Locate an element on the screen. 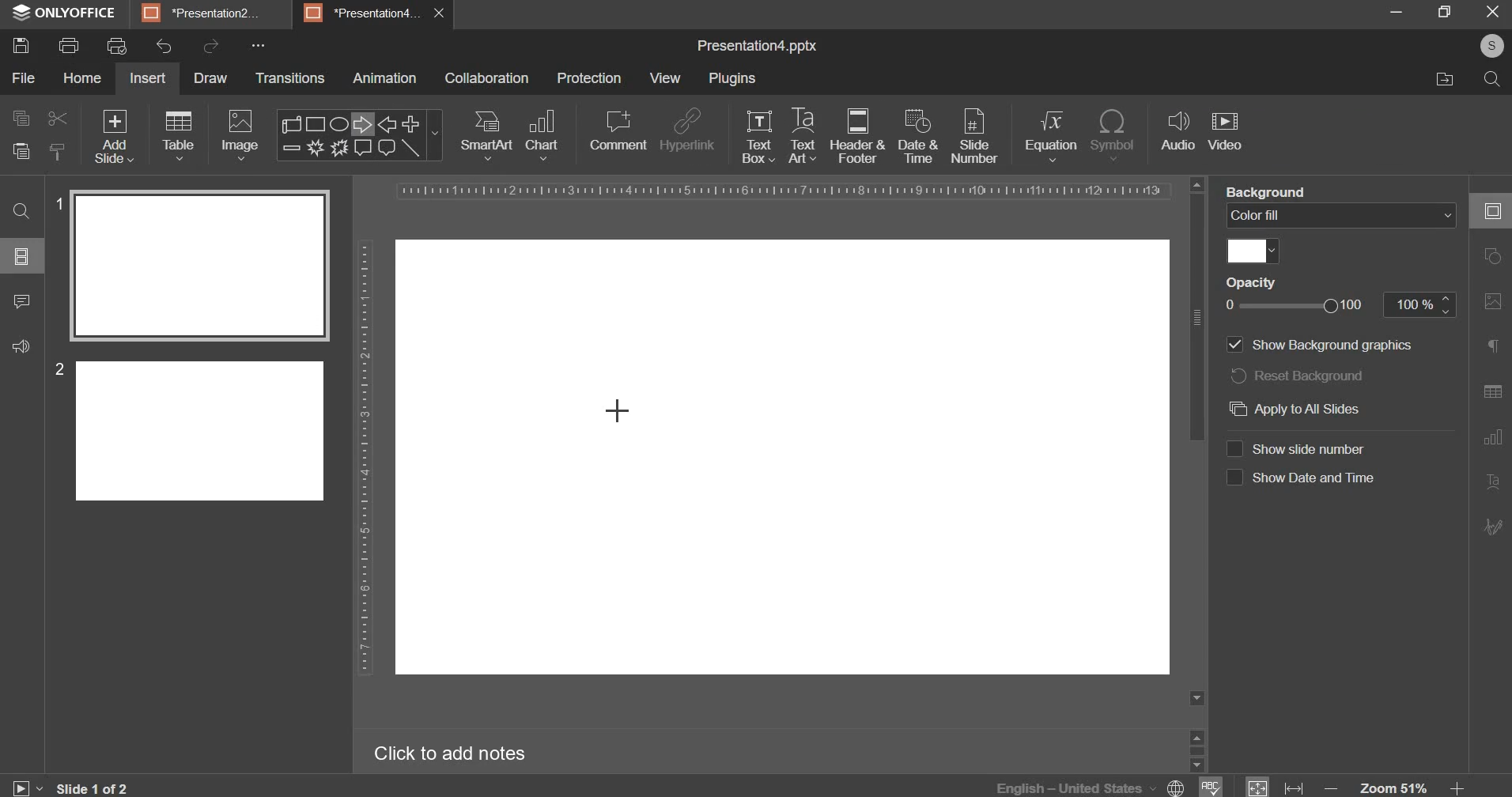 This screenshot has width=1512, height=797. BE] Presentation. is located at coordinates (206, 11).